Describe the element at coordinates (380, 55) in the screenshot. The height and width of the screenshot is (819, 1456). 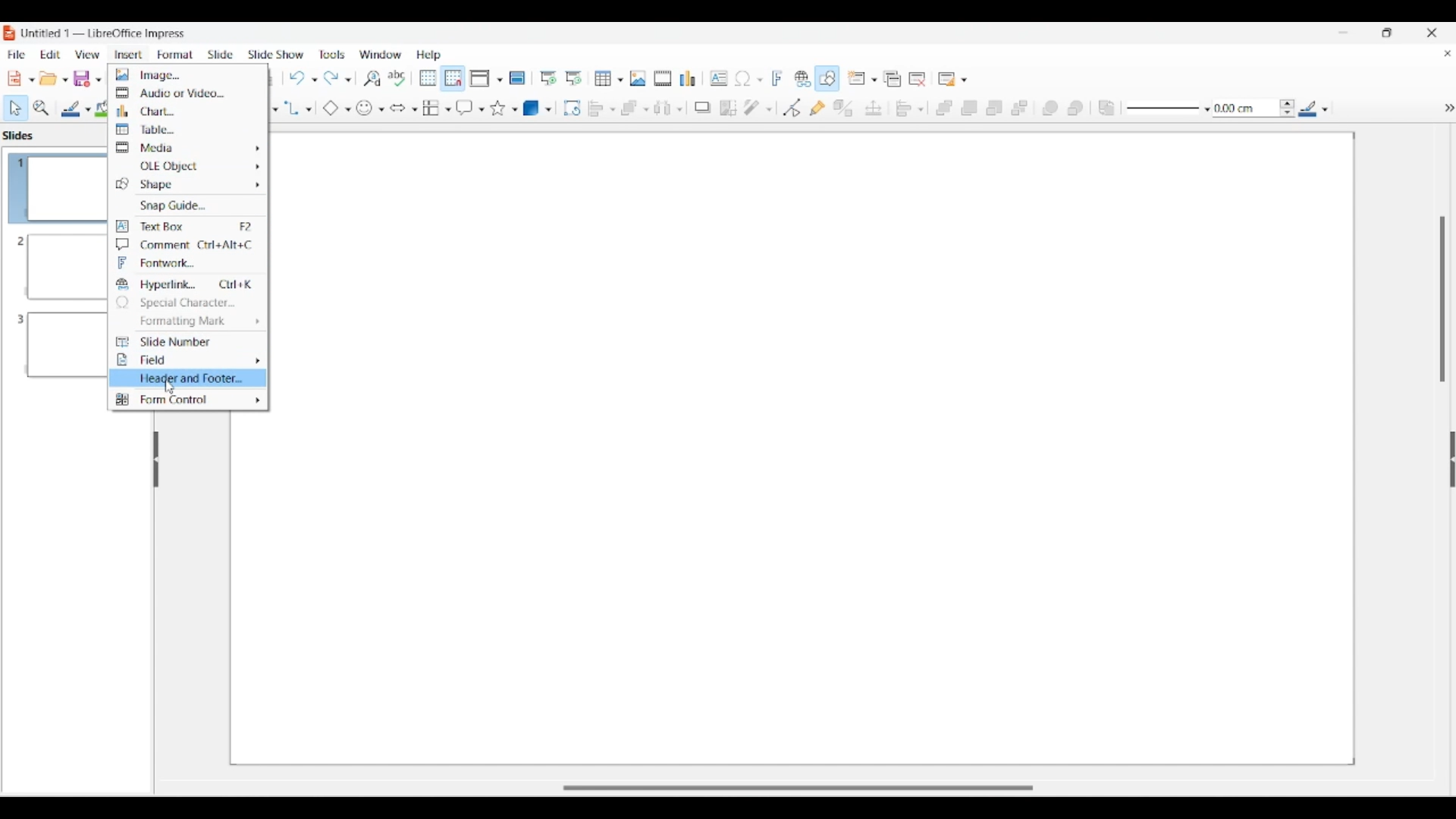
I see `Window menu` at that location.